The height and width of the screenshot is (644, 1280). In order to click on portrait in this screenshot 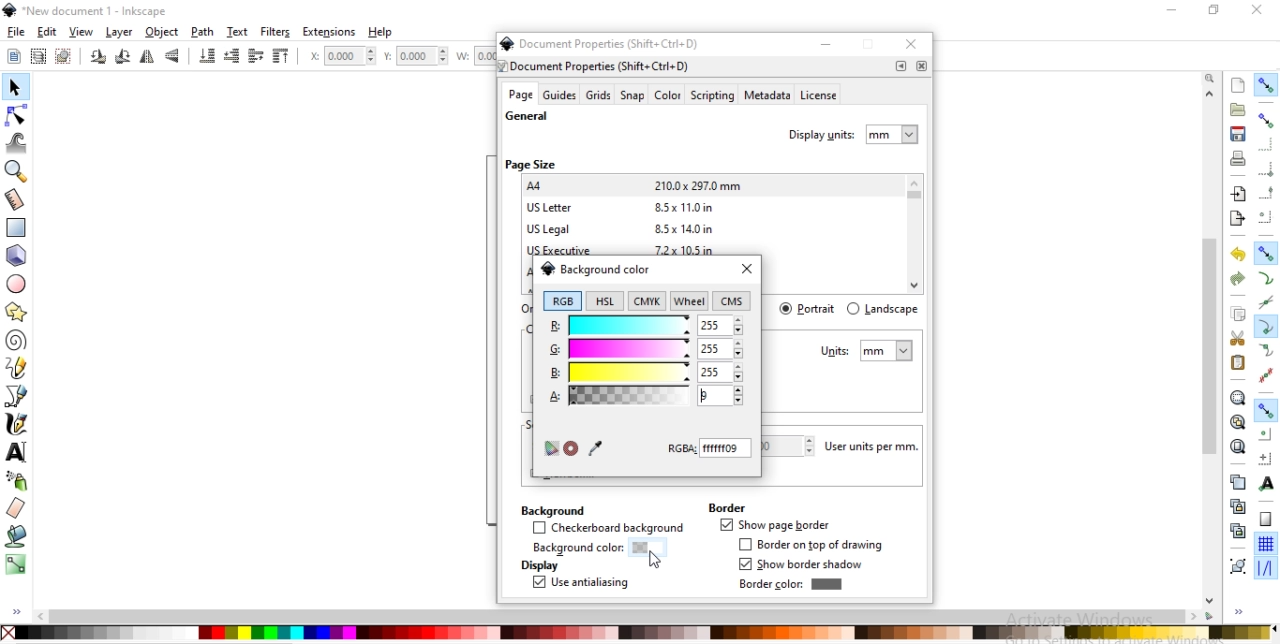, I will do `click(809, 308)`.